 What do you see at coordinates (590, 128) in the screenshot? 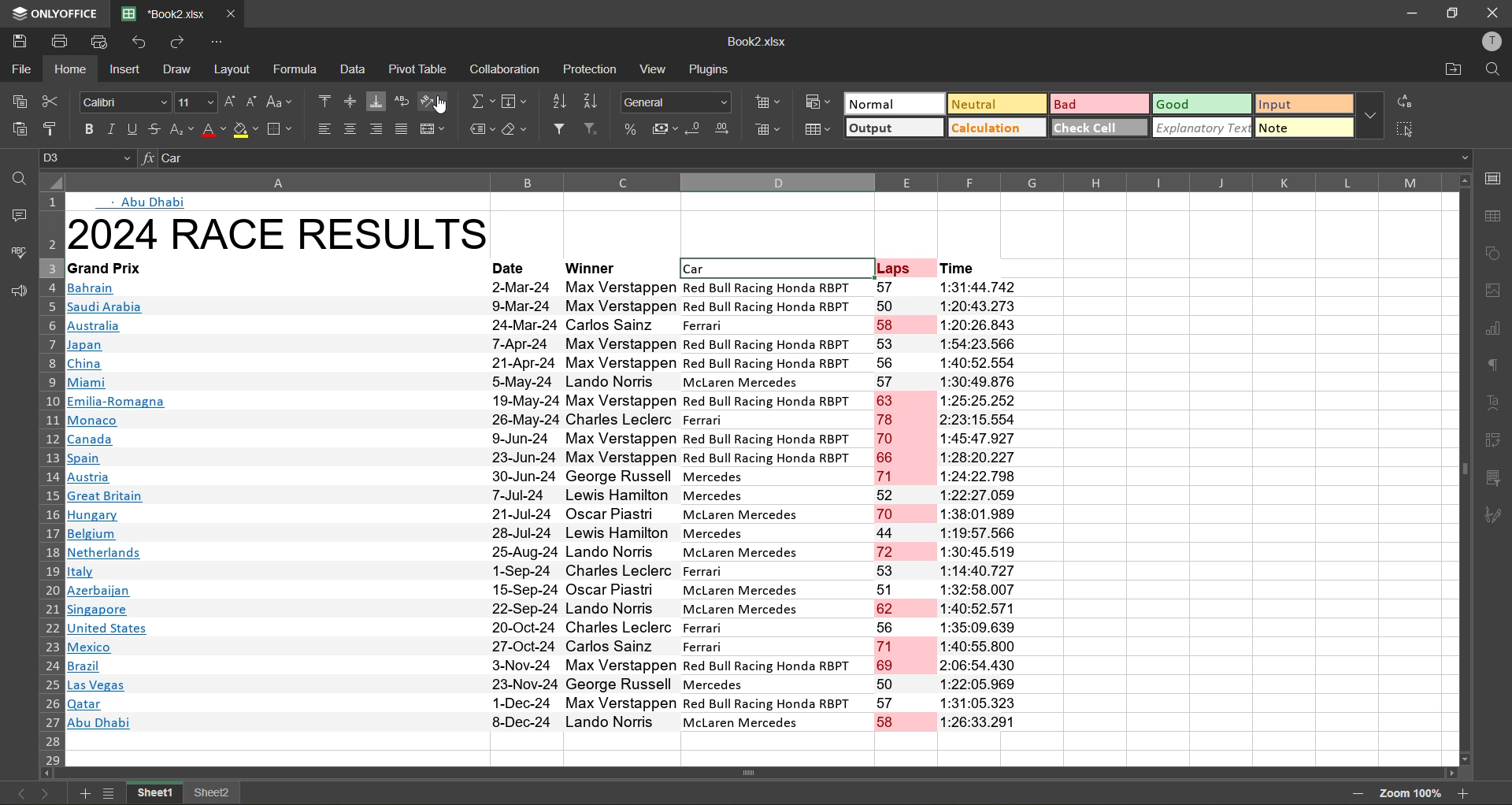
I see `` at bounding box center [590, 128].